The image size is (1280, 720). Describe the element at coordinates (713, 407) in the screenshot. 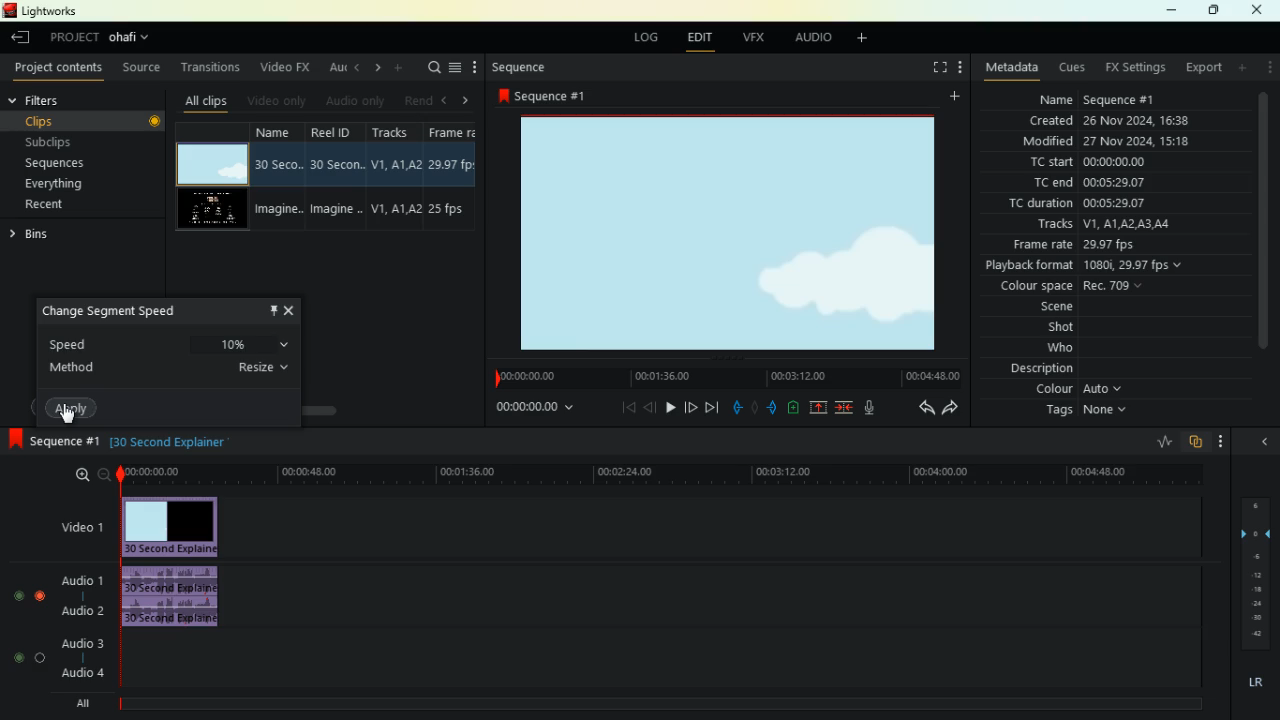

I see `forward` at that location.